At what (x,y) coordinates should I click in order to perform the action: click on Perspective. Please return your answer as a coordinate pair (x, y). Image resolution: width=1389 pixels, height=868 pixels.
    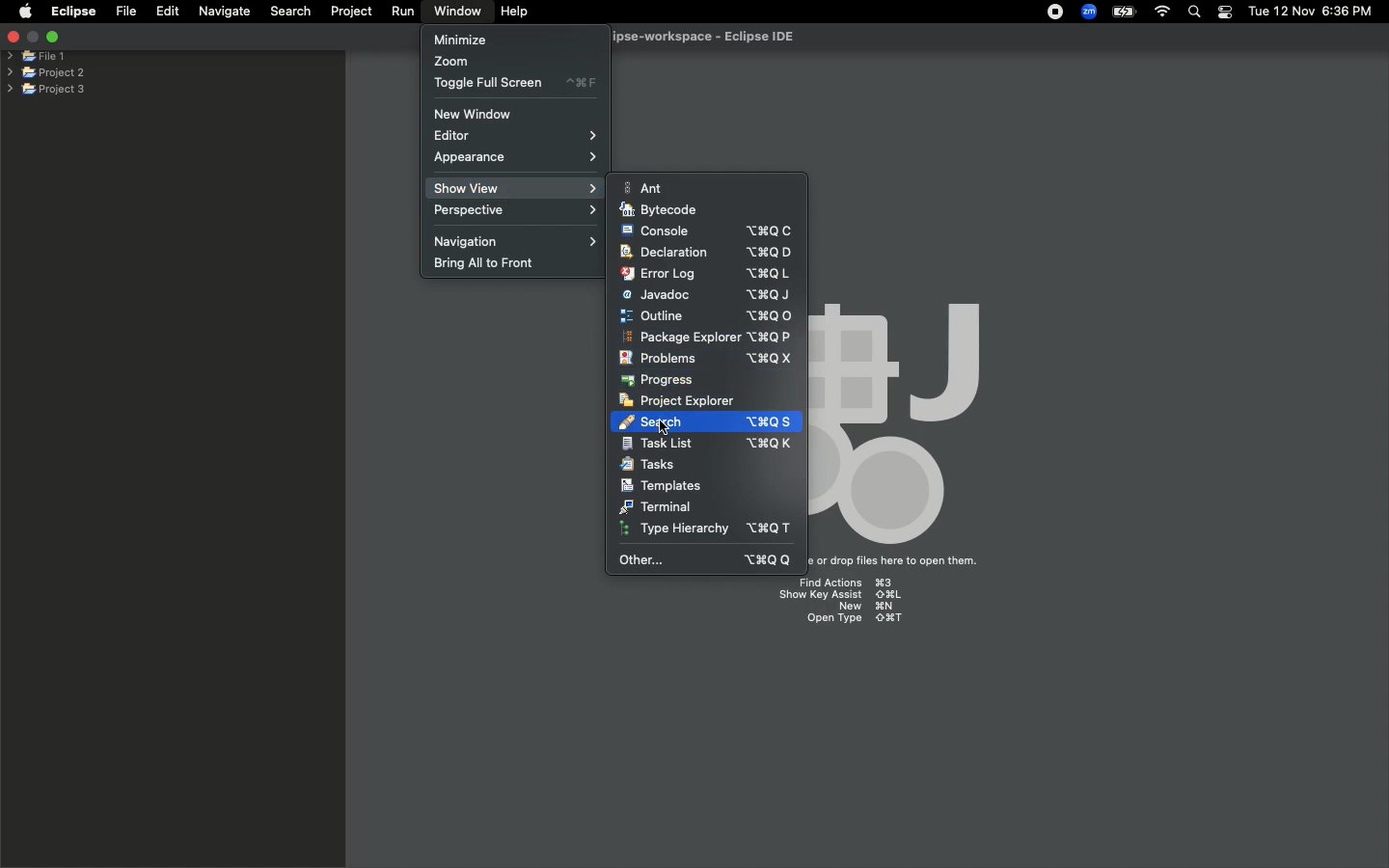
    Looking at the image, I should click on (520, 211).